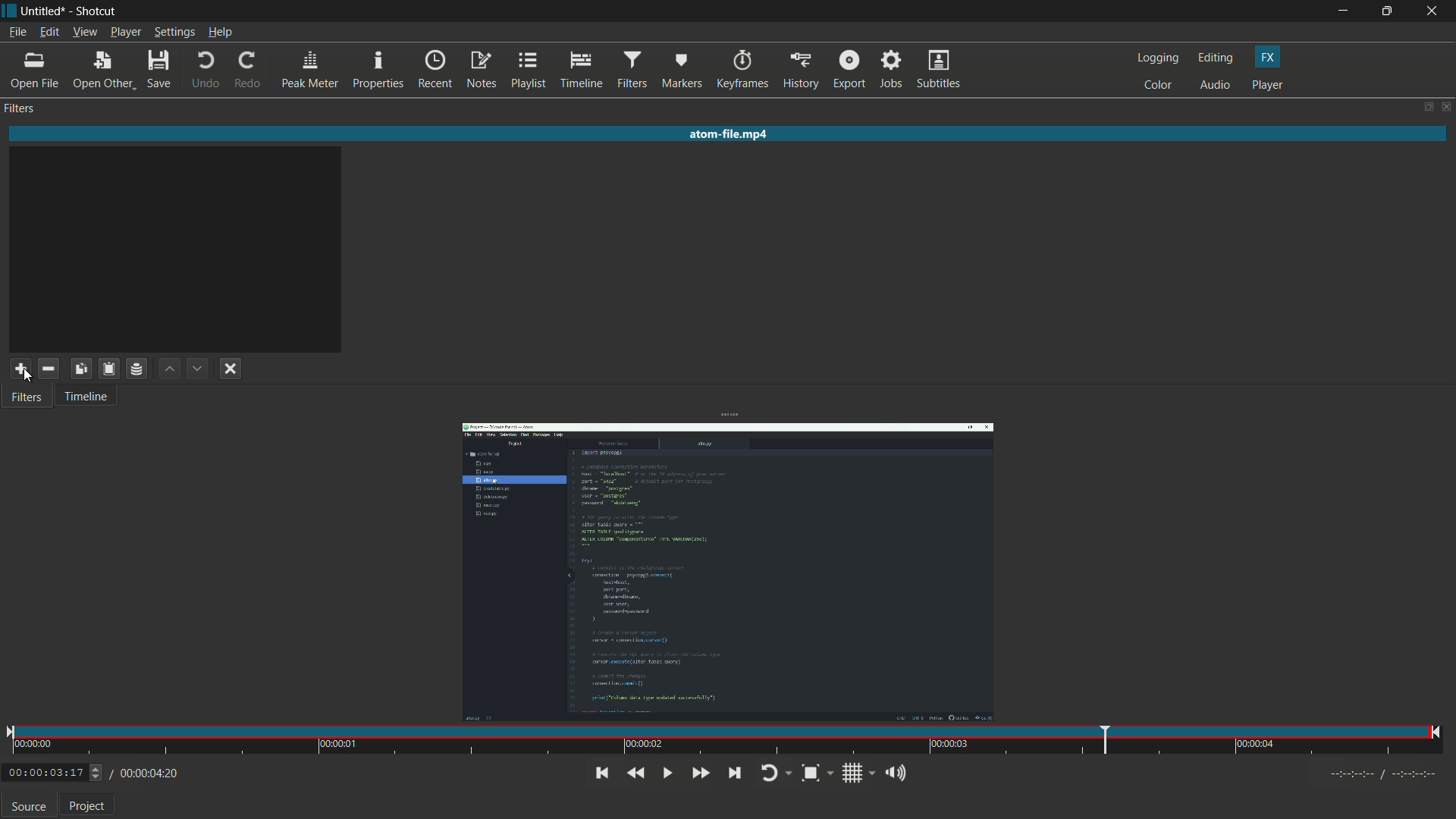 This screenshot has width=1456, height=819. What do you see at coordinates (893, 71) in the screenshot?
I see `jobs` at bounding box center [893, 71].